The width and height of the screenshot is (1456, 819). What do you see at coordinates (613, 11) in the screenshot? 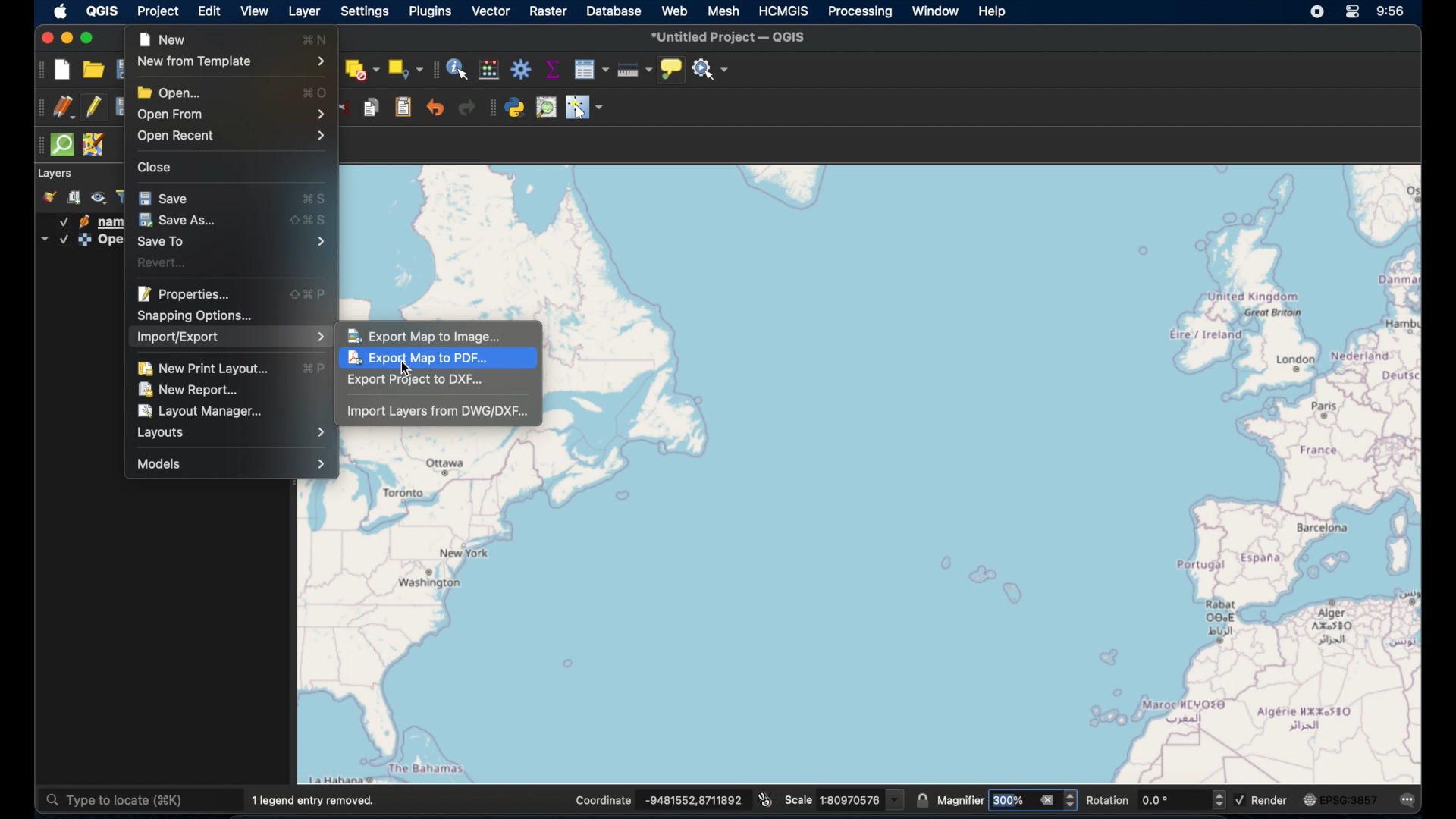
I see `database` at bounding box center [613, 11].